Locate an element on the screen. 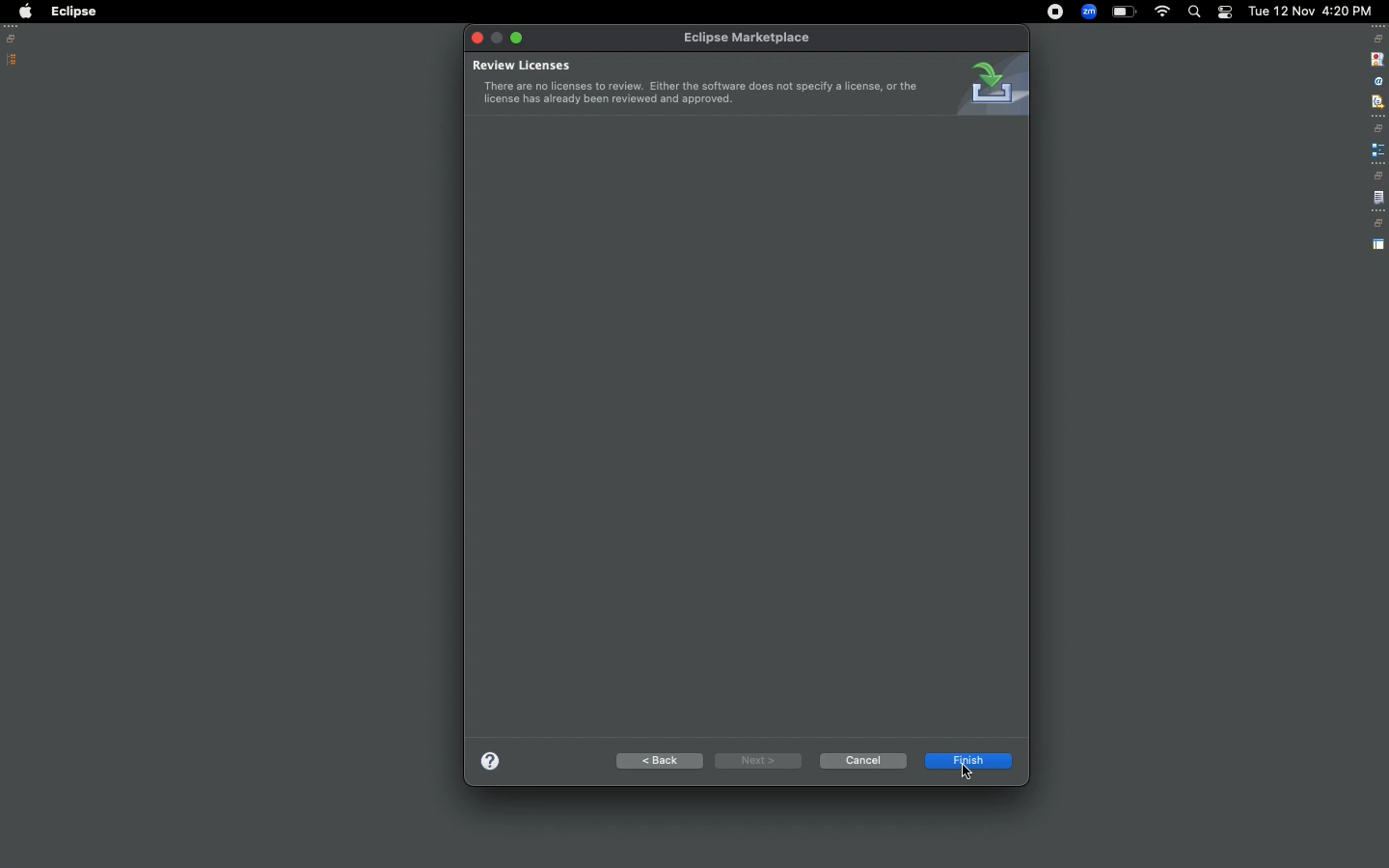 The image size is (1389, 868). Back is located at coordinates (656, 760).